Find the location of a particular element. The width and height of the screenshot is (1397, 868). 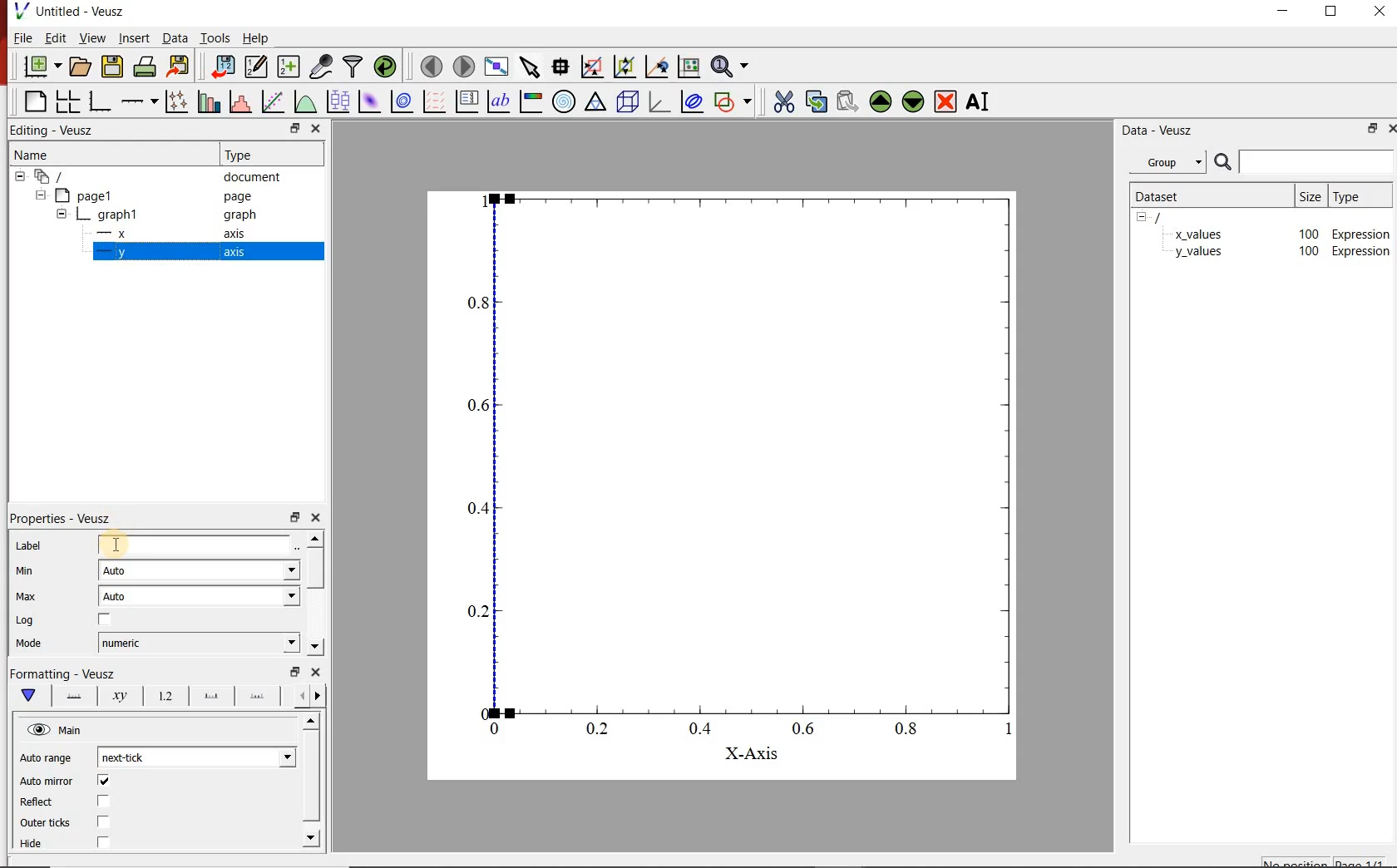

export to graphics format is located at coordinates (180, 66).